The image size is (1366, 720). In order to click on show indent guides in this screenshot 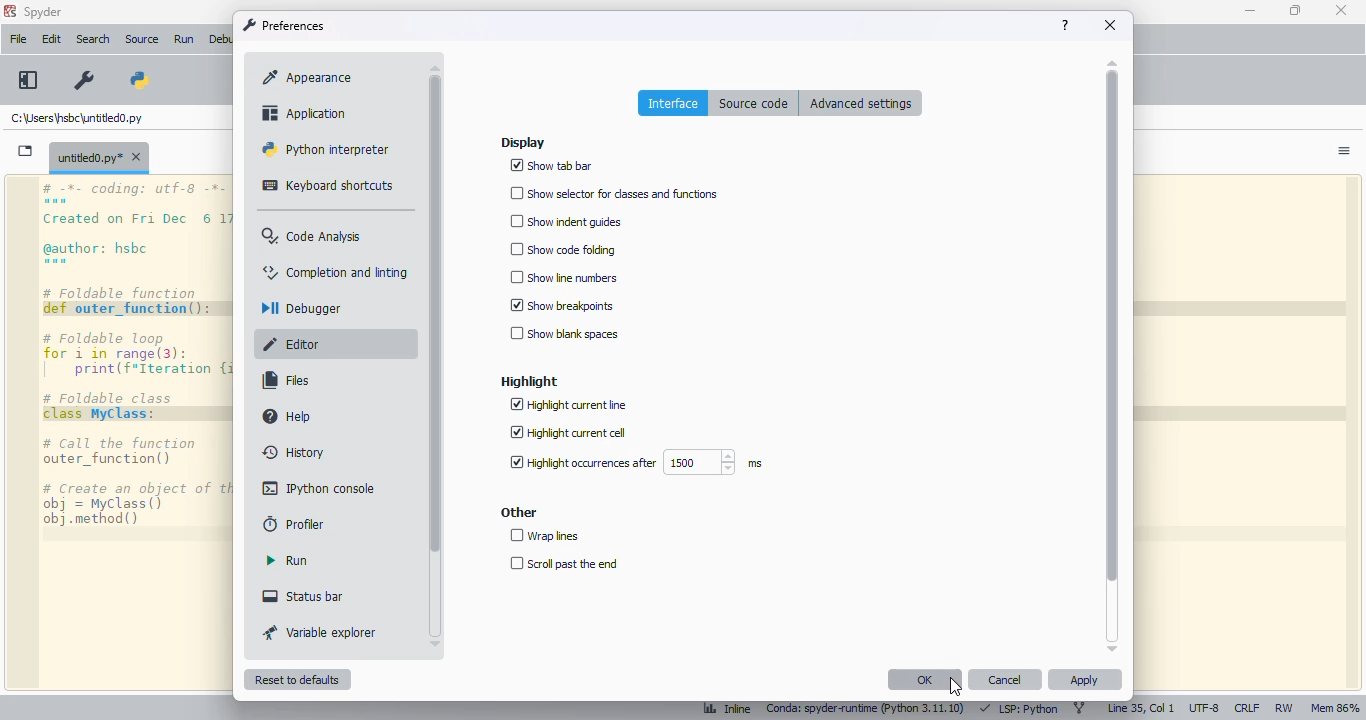, I will do `click(564, 221)`.